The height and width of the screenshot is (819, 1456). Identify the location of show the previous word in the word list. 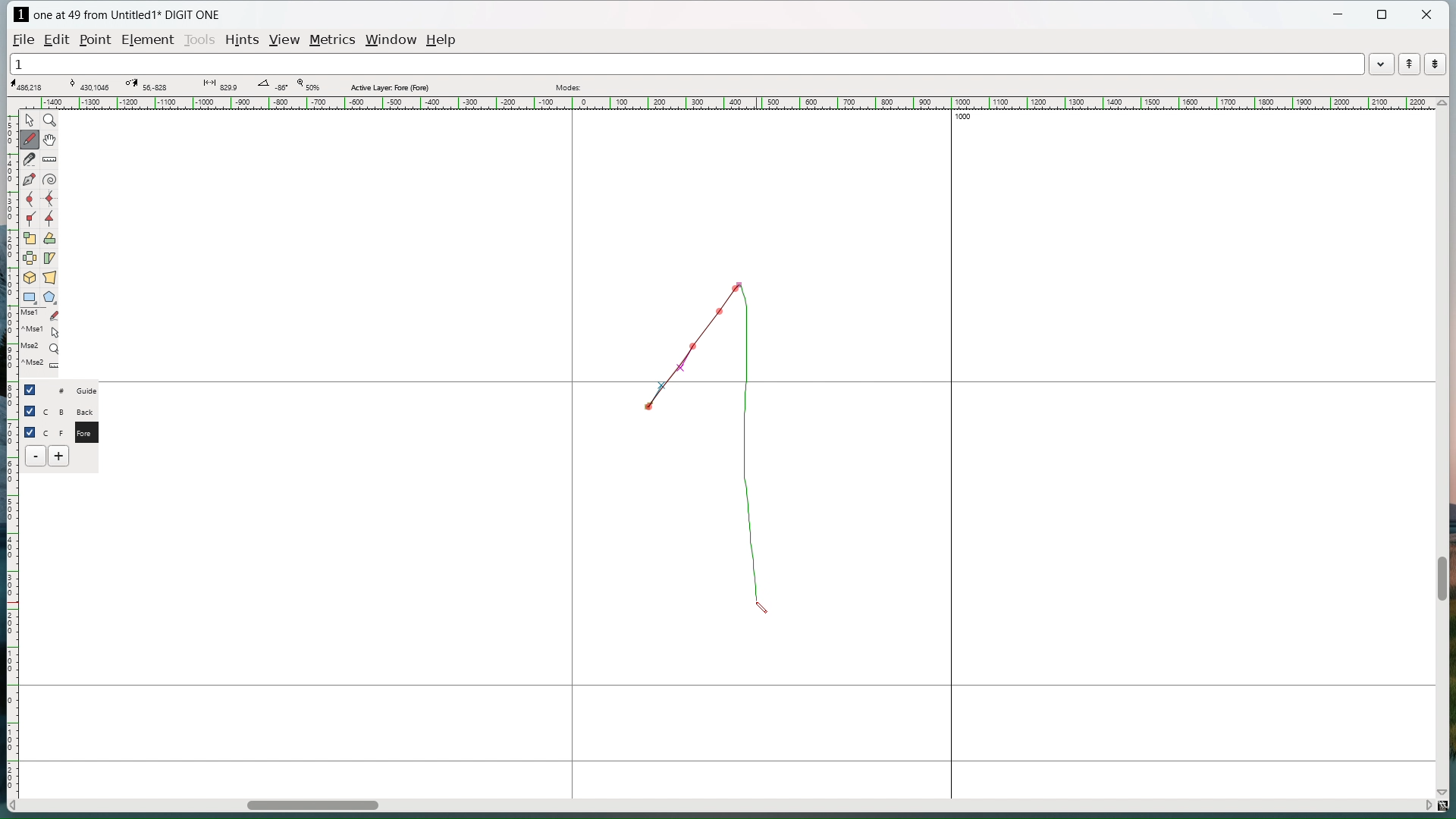
(1409, 64).